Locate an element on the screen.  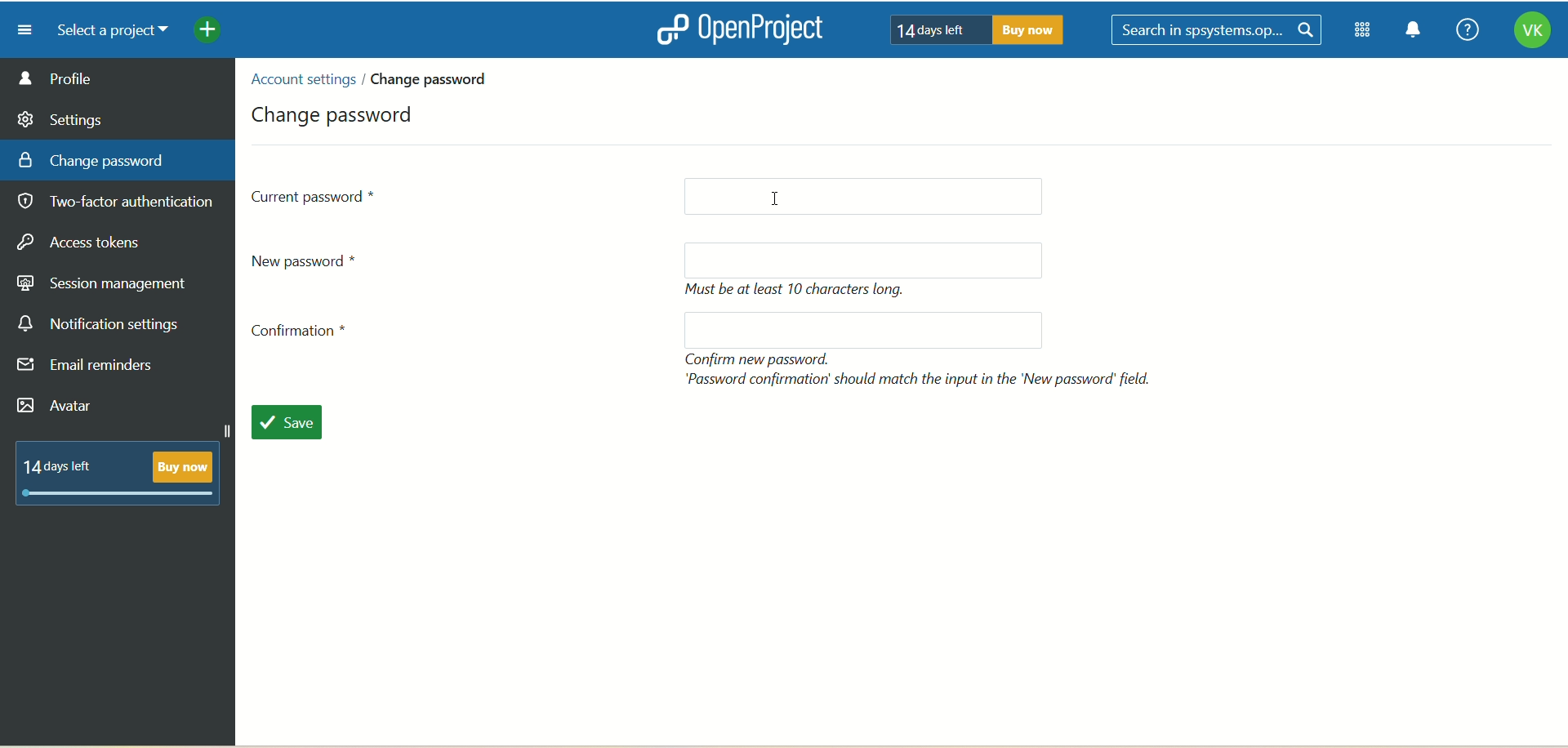
search is located at coordinates (1219, 31).